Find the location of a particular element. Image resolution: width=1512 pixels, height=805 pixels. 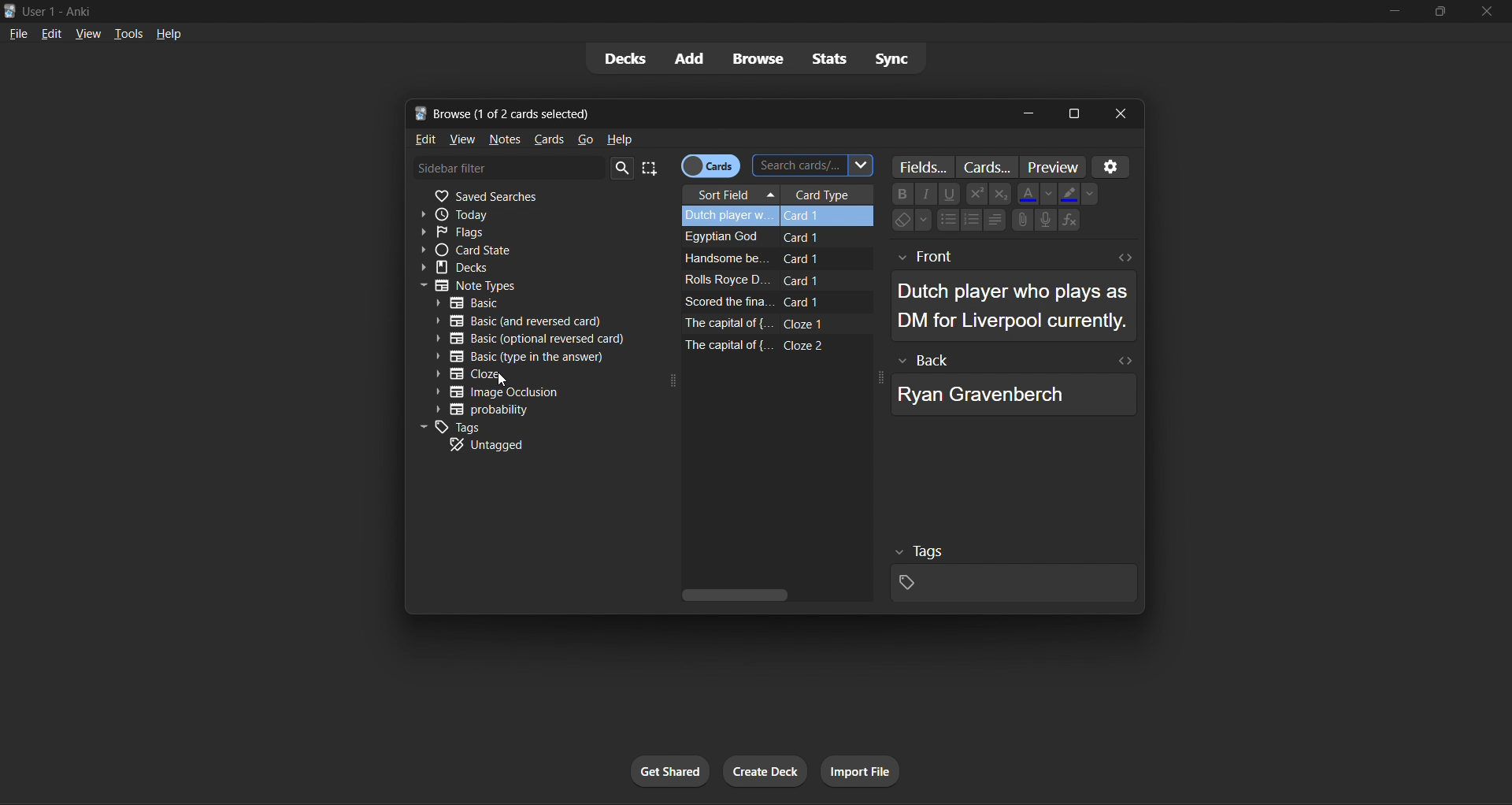

minimize is located at coordinates (1027, 113).